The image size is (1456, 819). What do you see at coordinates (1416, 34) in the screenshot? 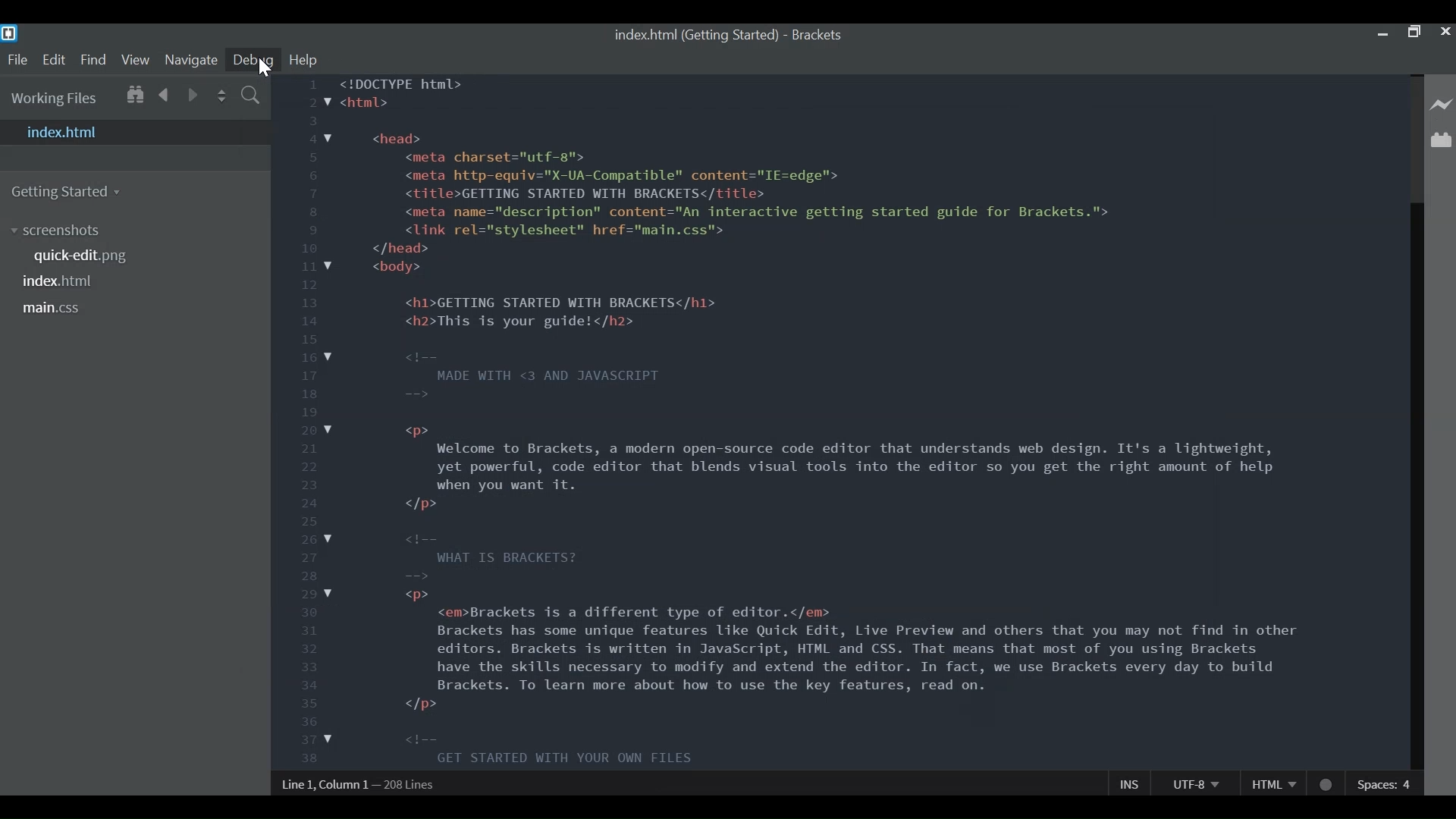
I see `Restore` at bounding box center [1416, 34].